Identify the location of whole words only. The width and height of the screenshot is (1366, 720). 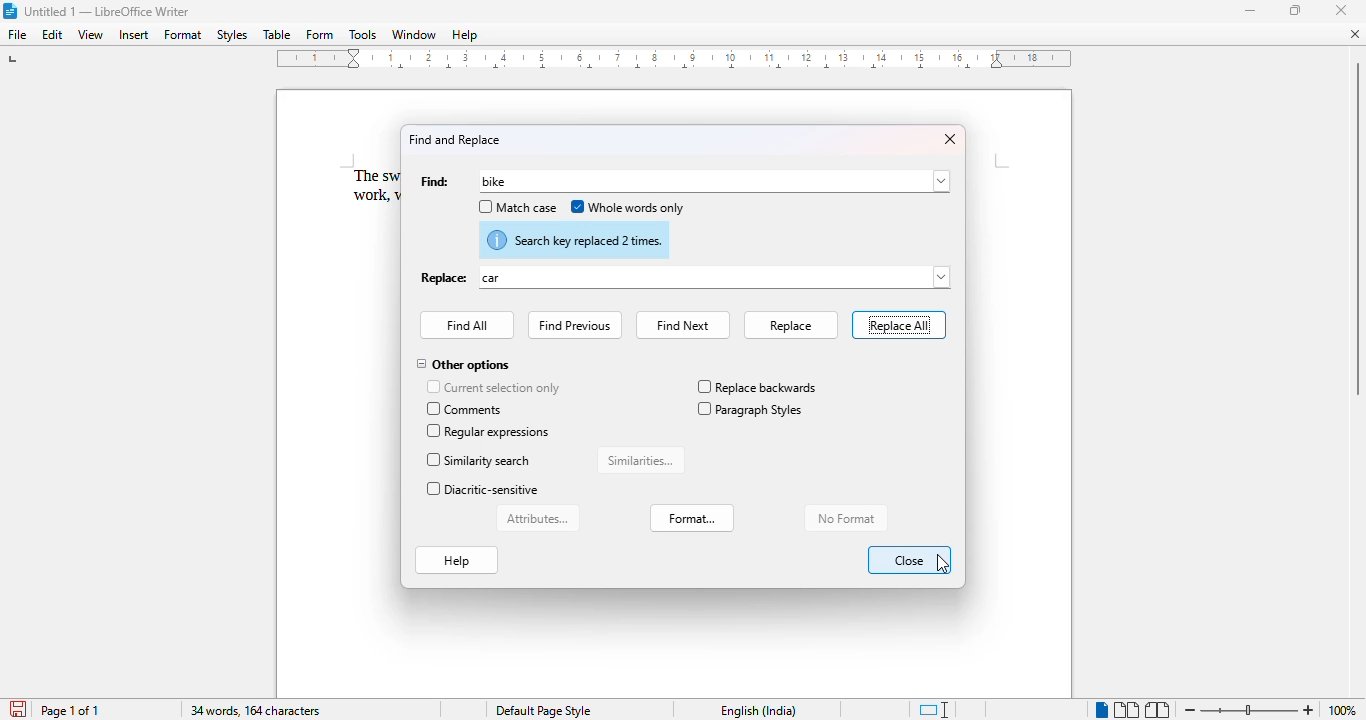
(628, 207).